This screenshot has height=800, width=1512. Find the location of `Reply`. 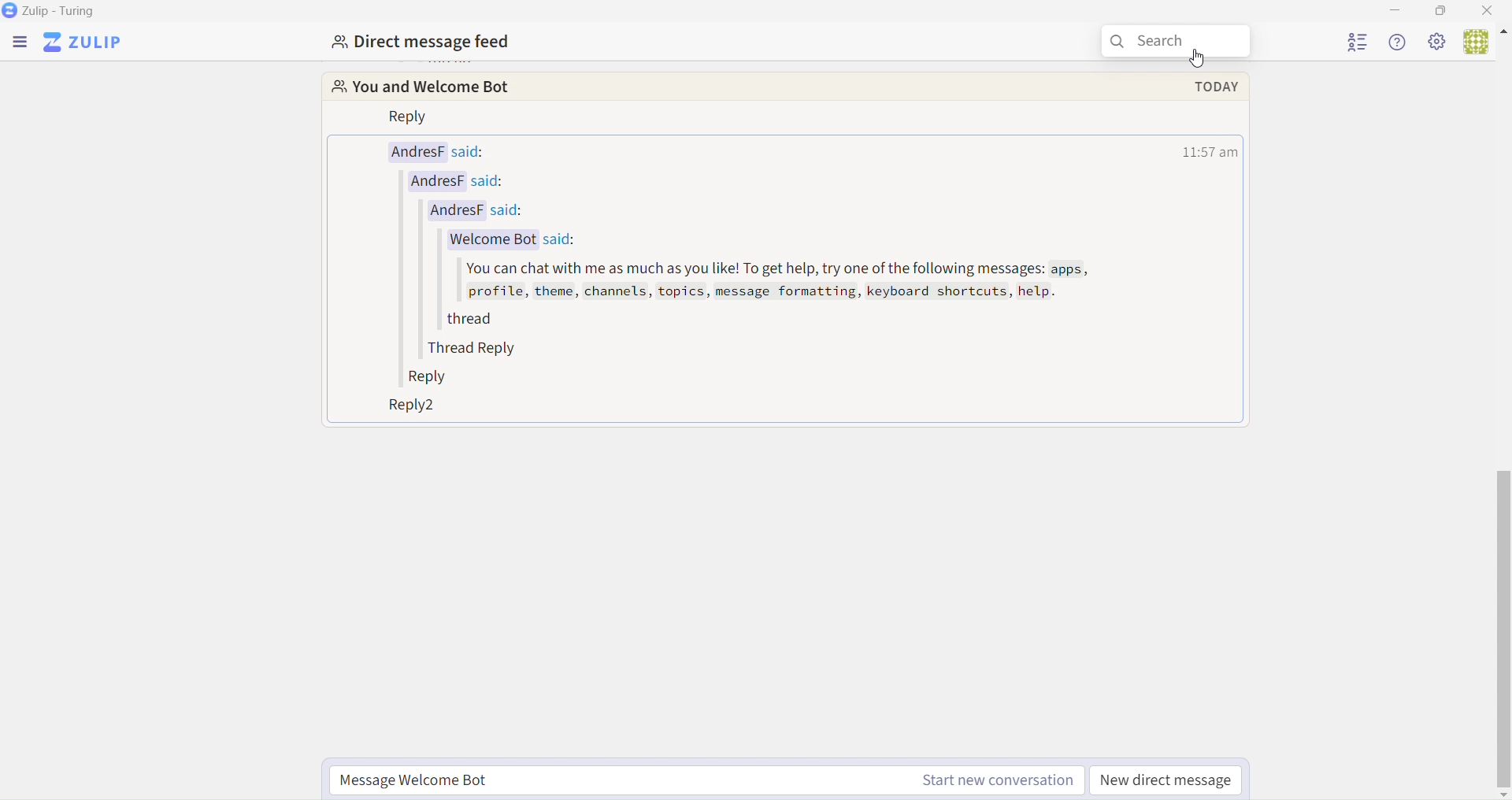

Reply is located at coordinates (432, 379).